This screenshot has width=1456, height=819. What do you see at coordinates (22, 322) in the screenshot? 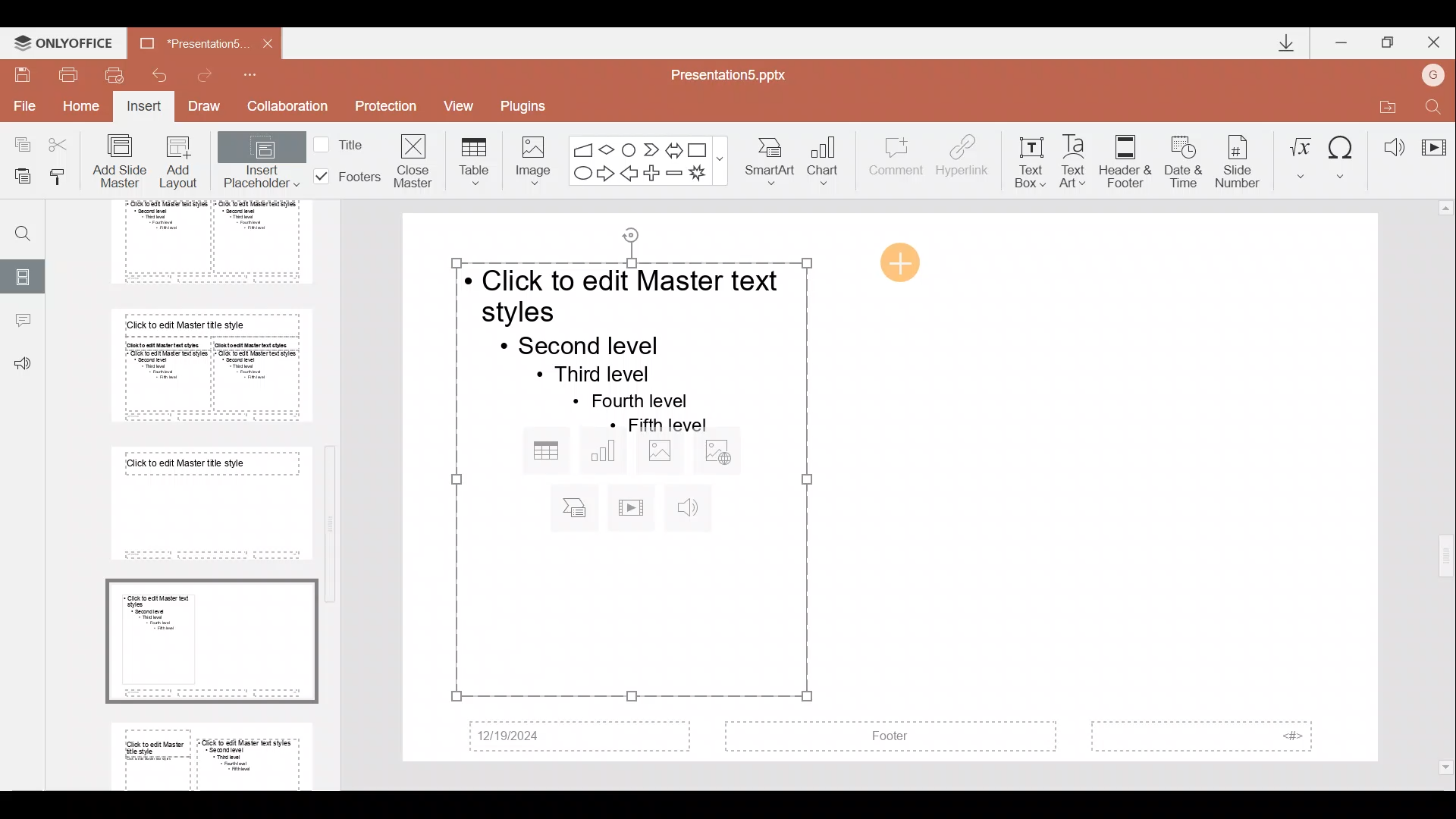
I see `Comments` at bounding box center [22, 322].